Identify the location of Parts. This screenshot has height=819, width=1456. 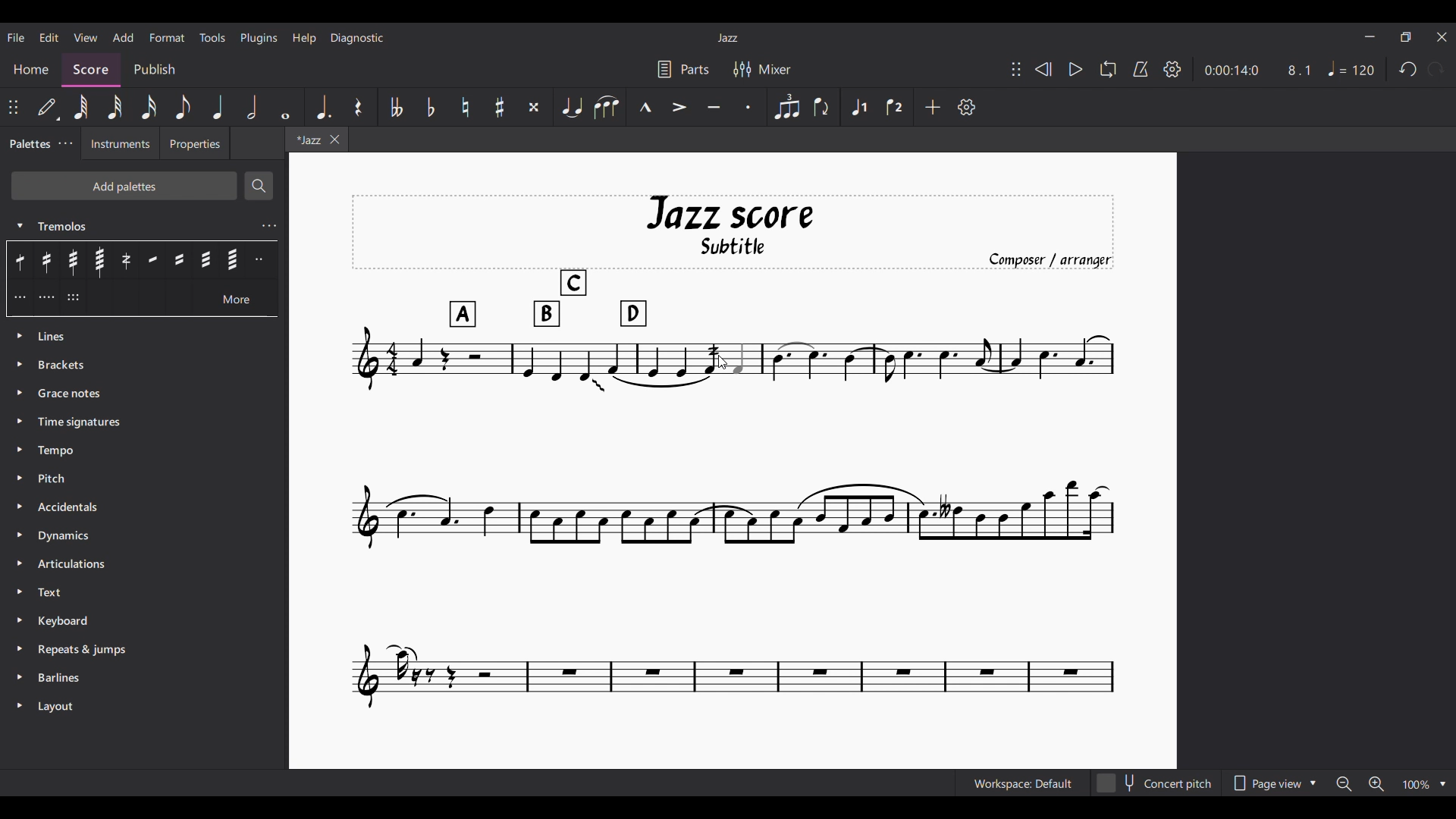
(684, 68).